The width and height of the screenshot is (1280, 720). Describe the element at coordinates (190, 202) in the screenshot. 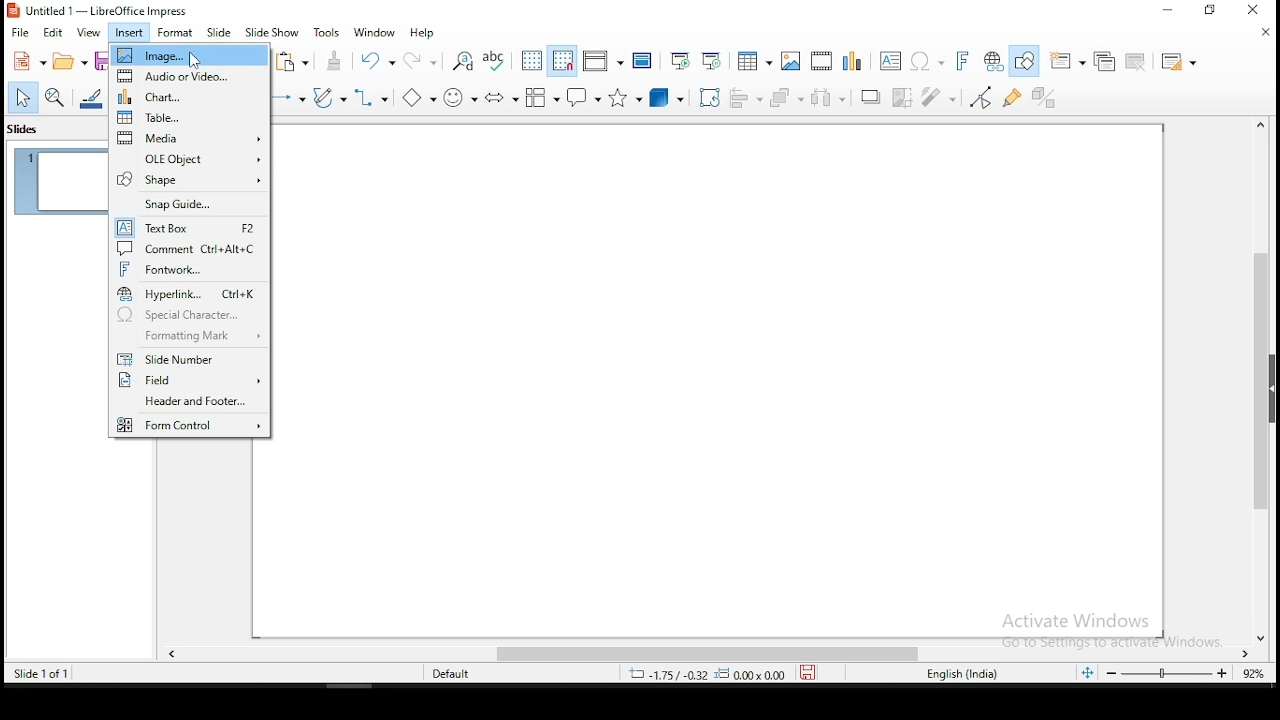

I see `snap guide` at that location.